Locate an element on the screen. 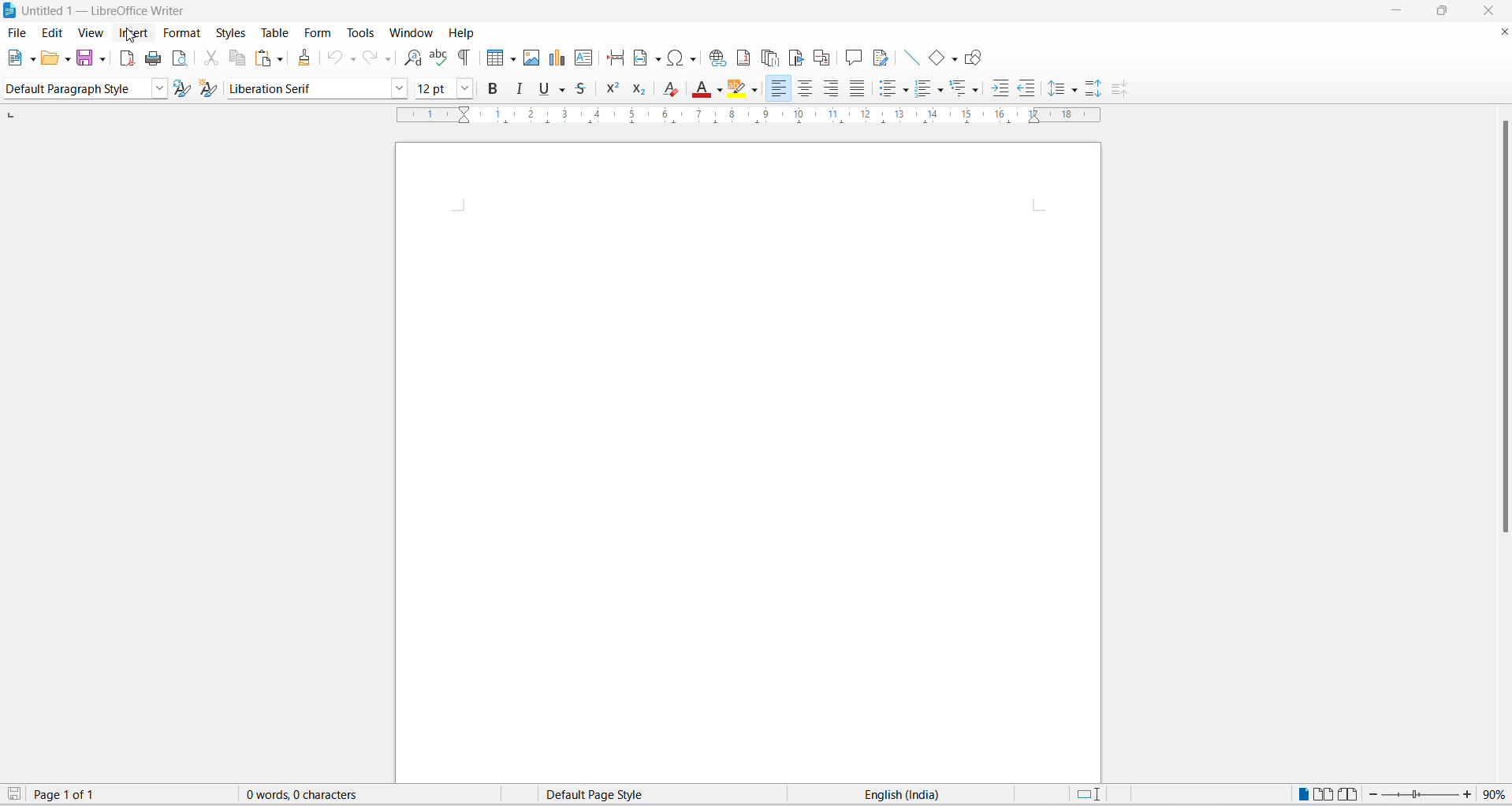  zoom percentage is located at coordinates (1497, 794).